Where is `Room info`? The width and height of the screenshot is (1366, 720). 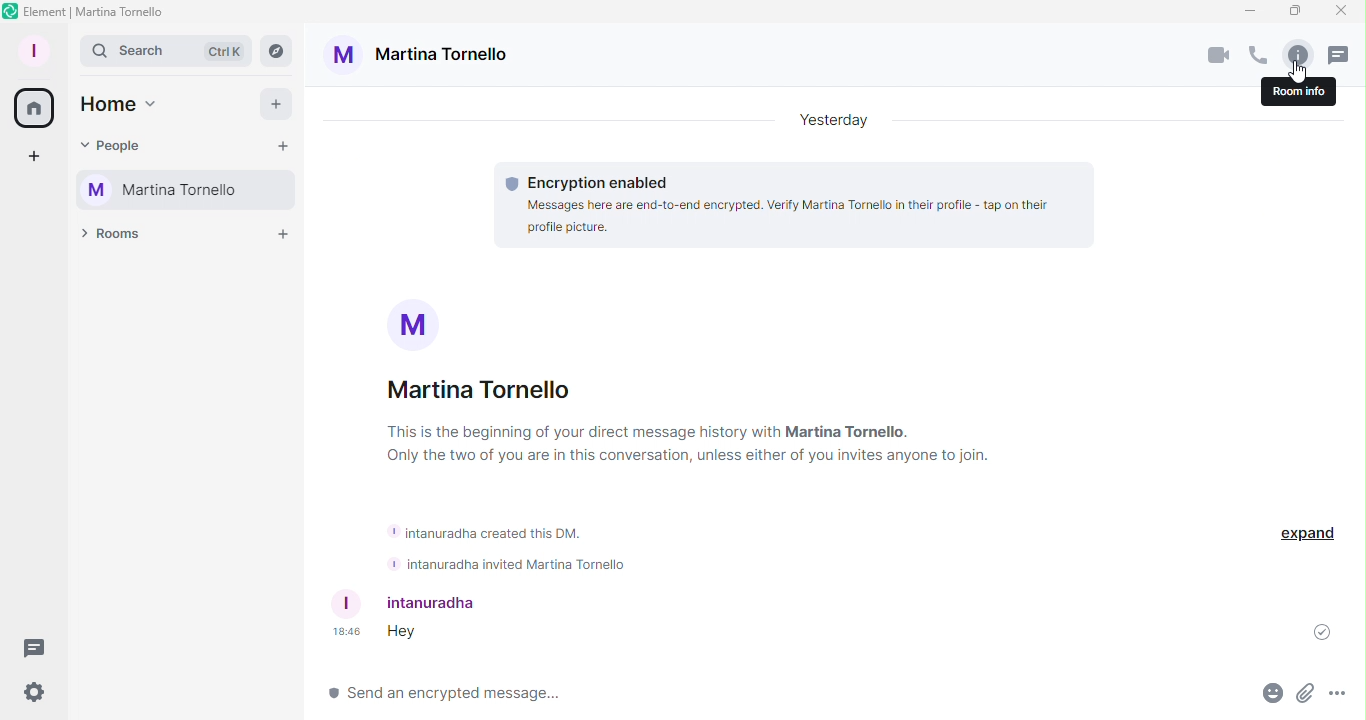
Room info is located at coordinates (1293, 93).